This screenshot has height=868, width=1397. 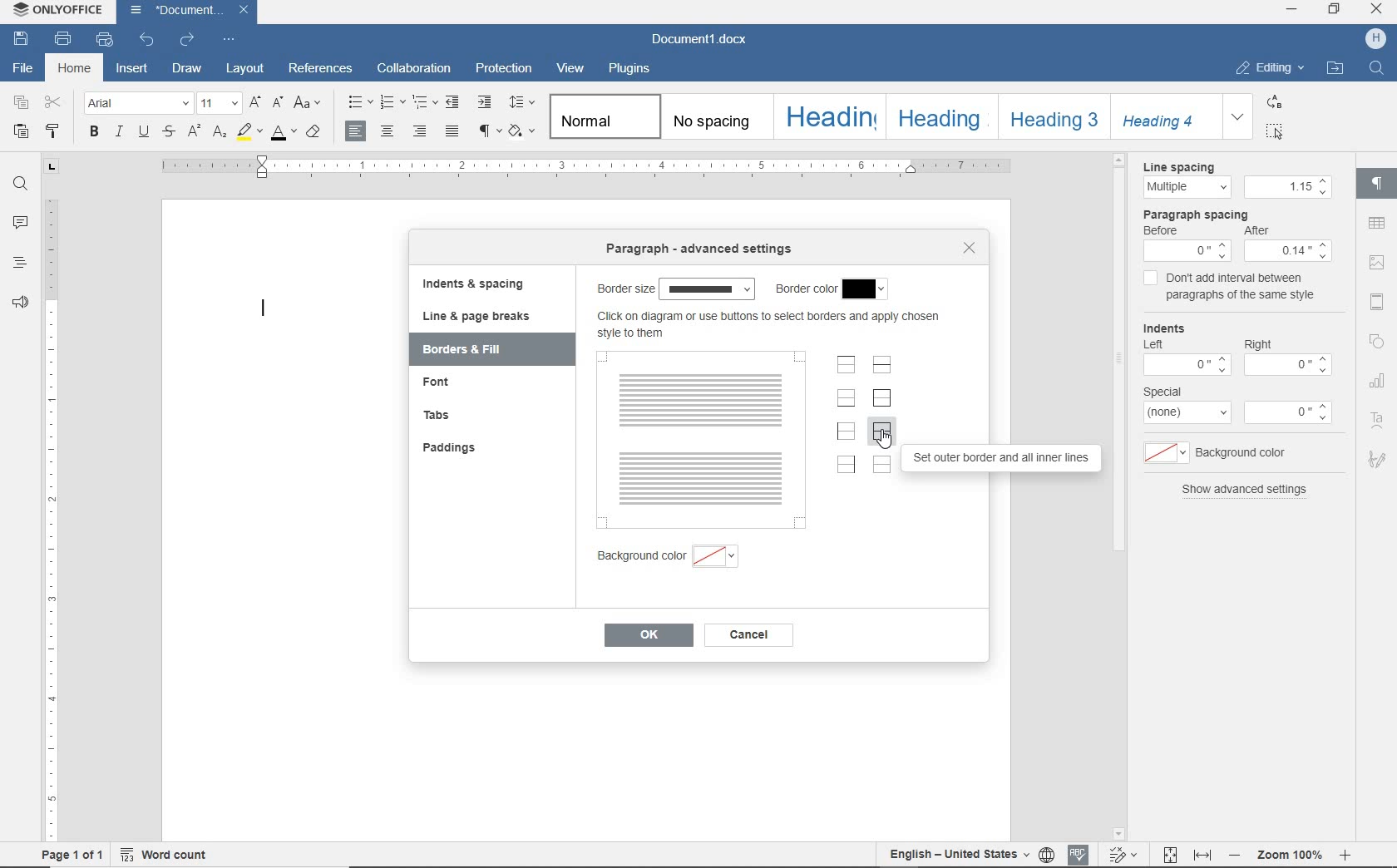 I want to click on nonprinting characters, so click(x=488, y=132).